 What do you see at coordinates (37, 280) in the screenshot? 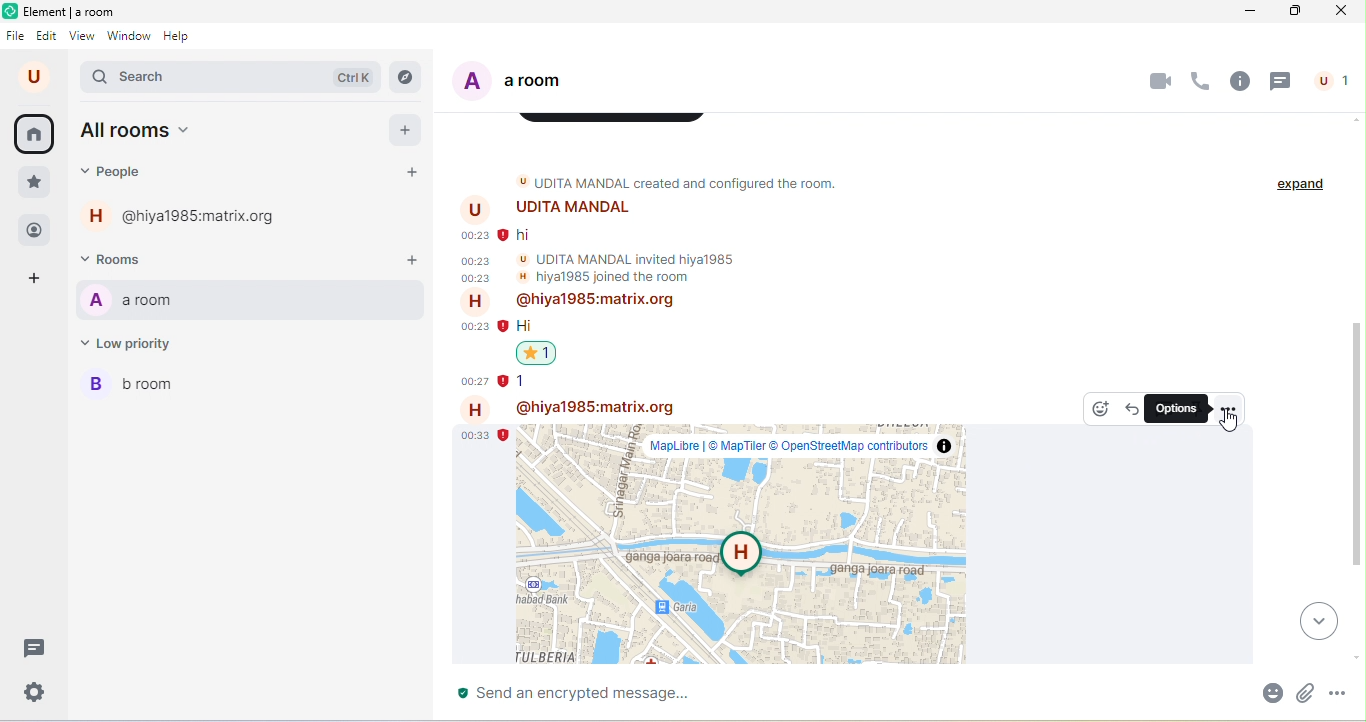
I see `add space` at bounding box center [37, 280].